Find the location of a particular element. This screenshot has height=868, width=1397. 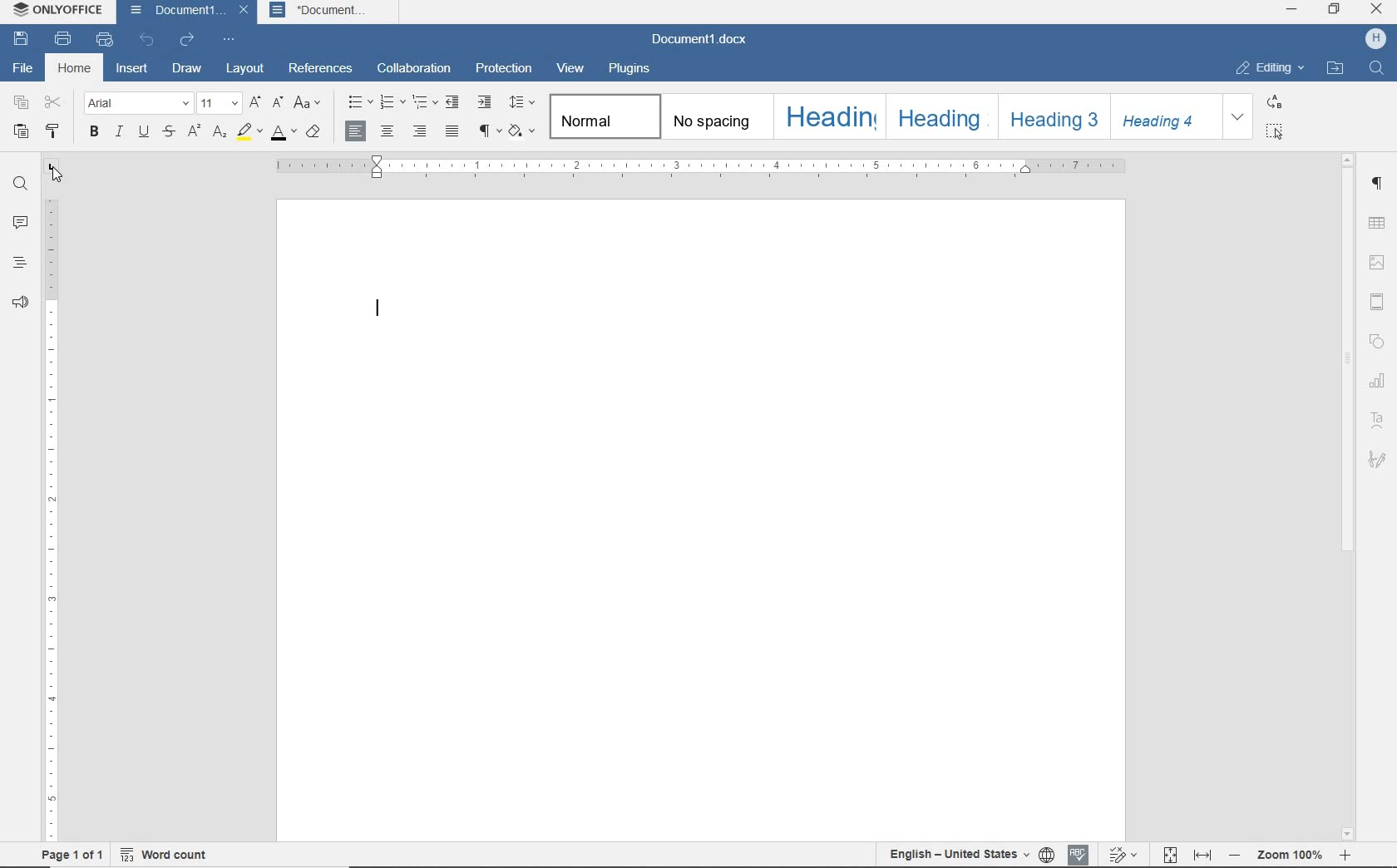

zoom out is located at coordinates (1234, 857).